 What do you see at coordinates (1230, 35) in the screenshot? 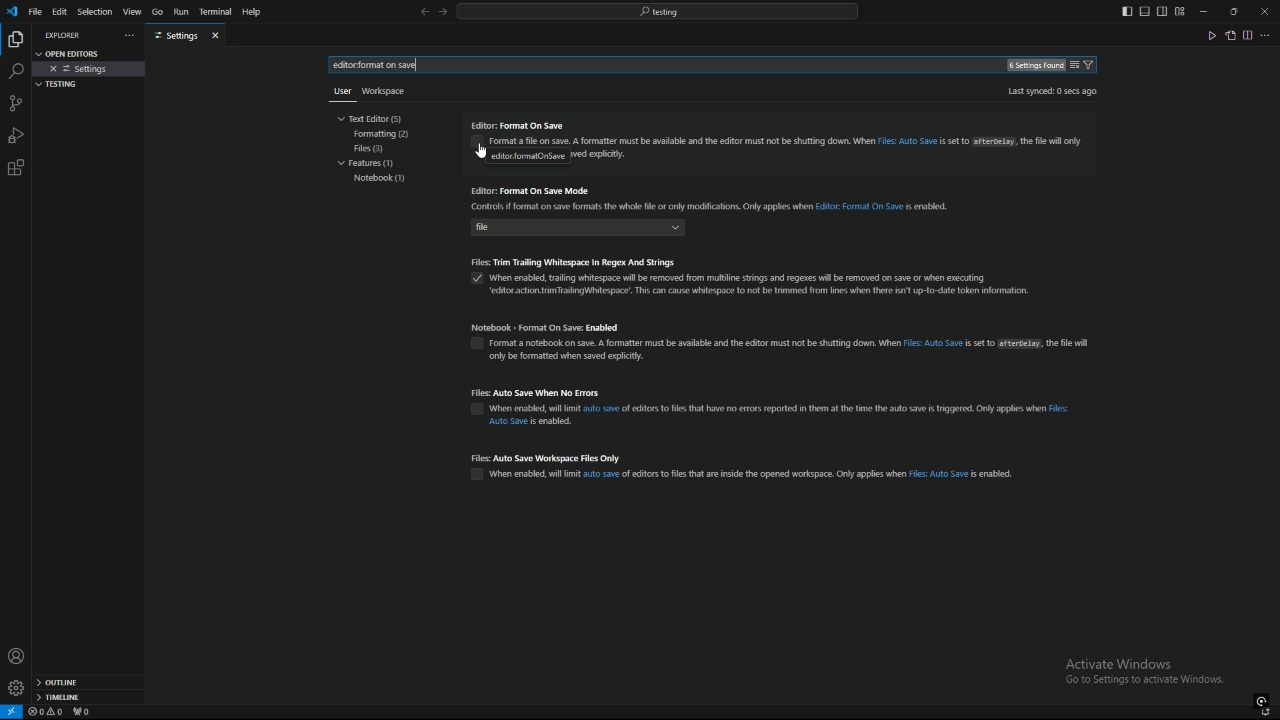
I see `open settings` at bounding box center [1230, 35].